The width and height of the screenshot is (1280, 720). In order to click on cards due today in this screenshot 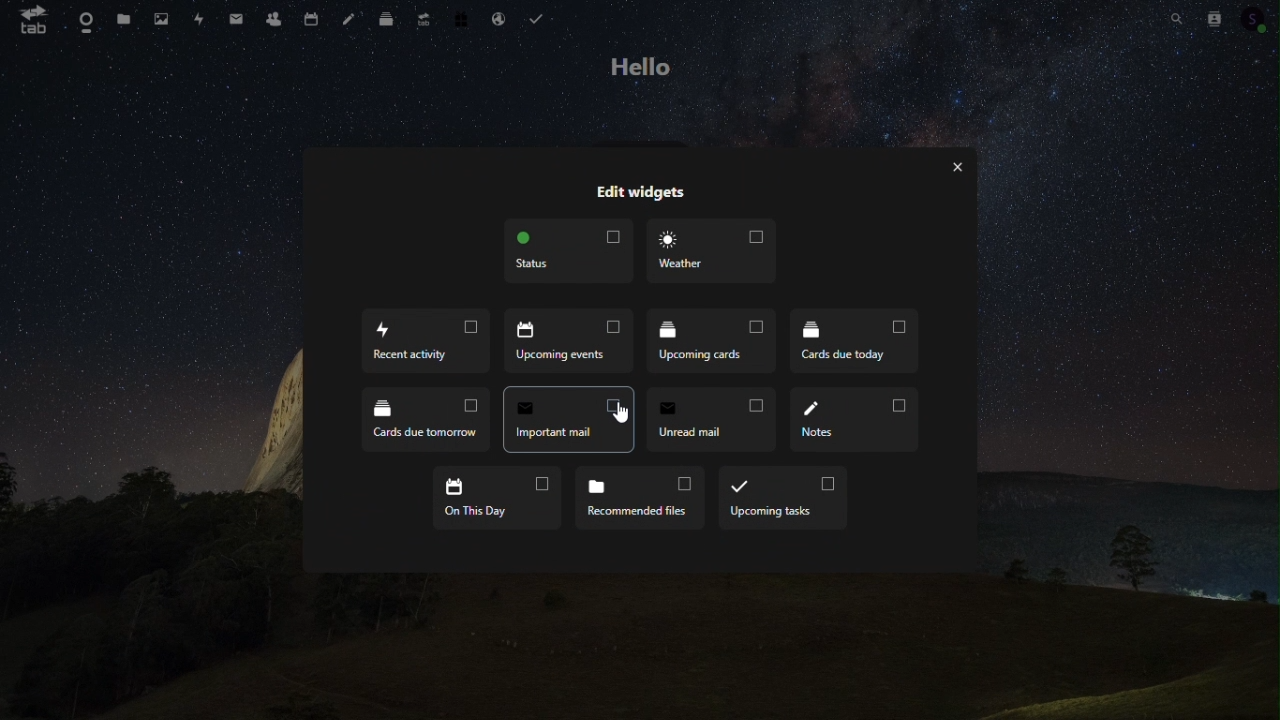, I will do `click(860, 345)`.